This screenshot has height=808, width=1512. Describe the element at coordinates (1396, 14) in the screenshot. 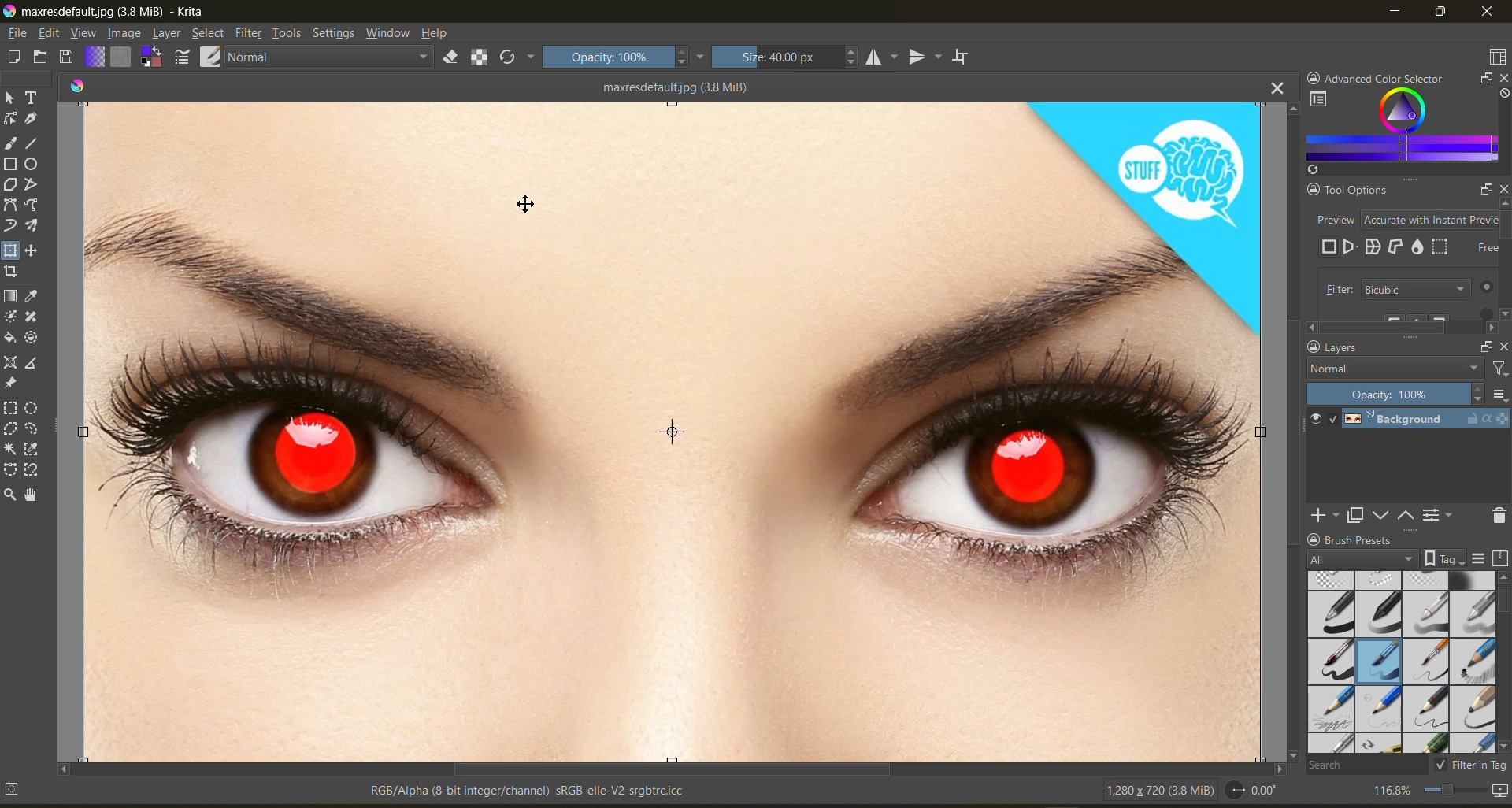

I see `minimize` at that location.